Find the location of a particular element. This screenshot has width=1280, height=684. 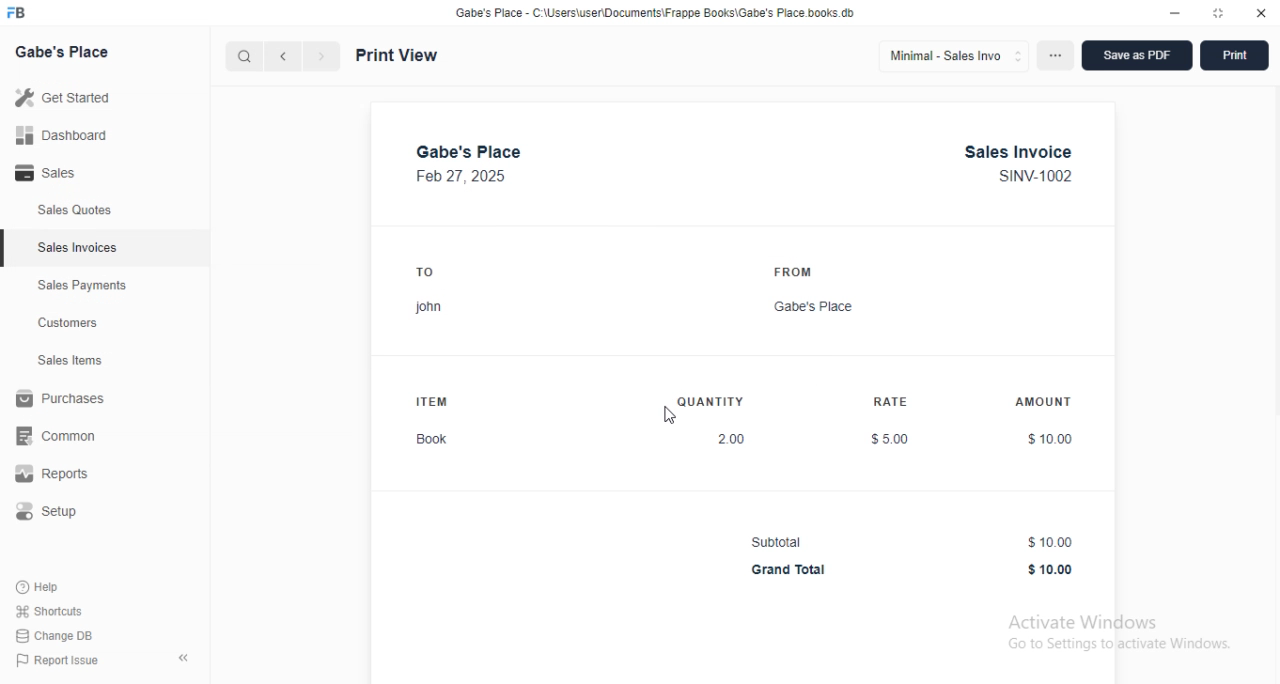

purchases is located at coordinates (62, 398).